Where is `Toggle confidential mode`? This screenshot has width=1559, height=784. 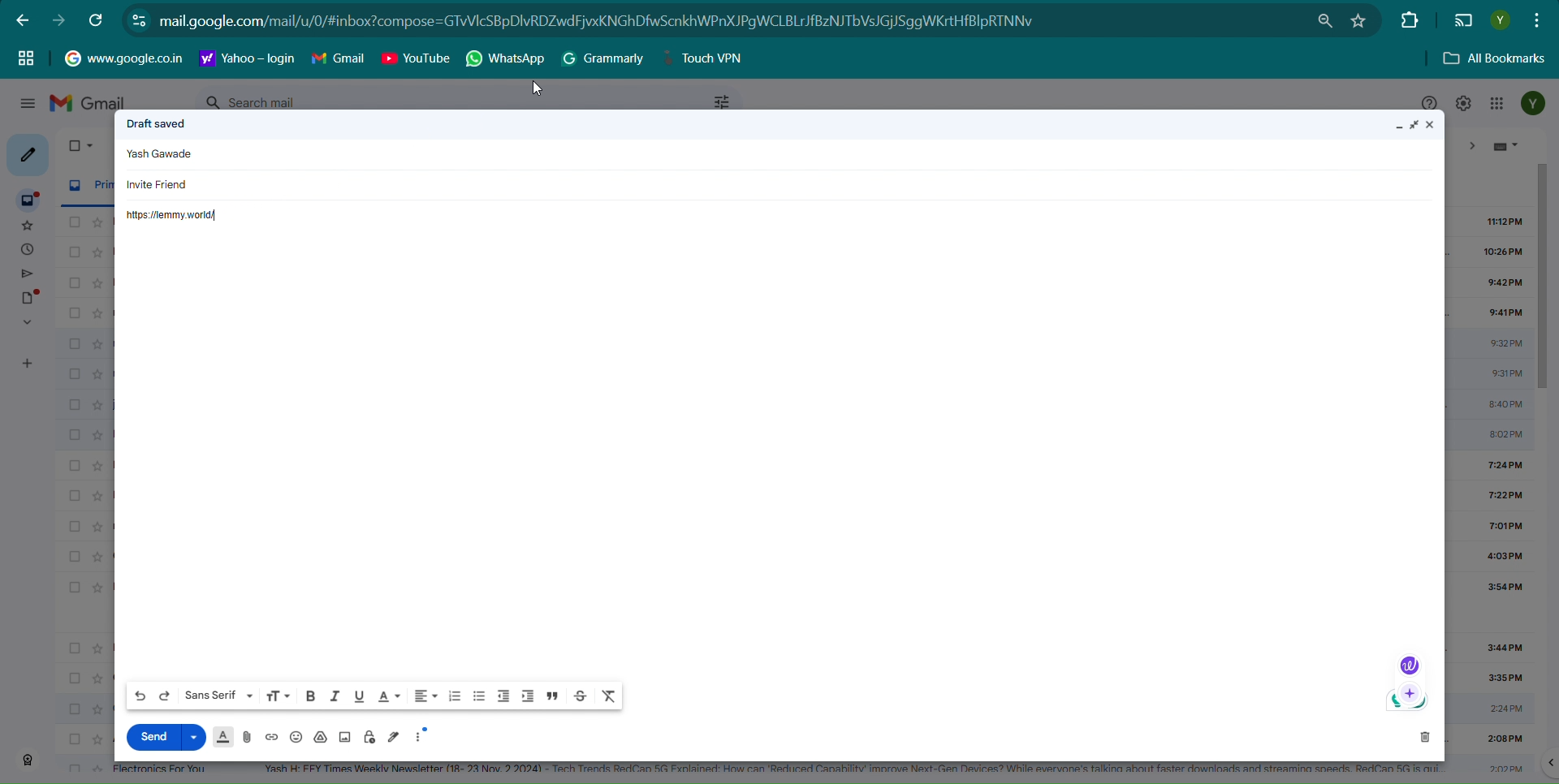
Toggle confidential mode is located at coordinates (370, 737).